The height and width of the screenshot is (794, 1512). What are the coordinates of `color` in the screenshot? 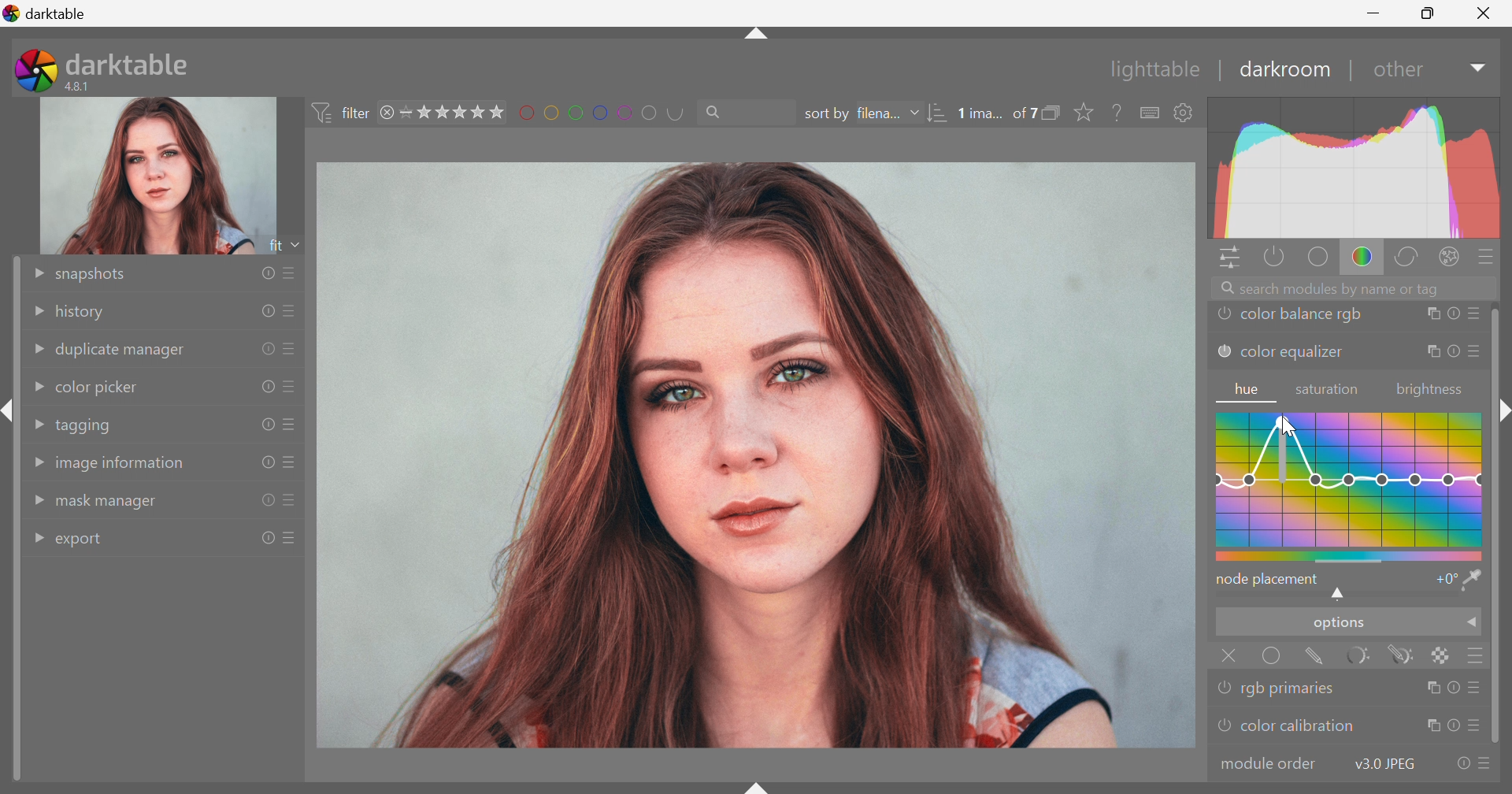 It's located at (1362, 258).